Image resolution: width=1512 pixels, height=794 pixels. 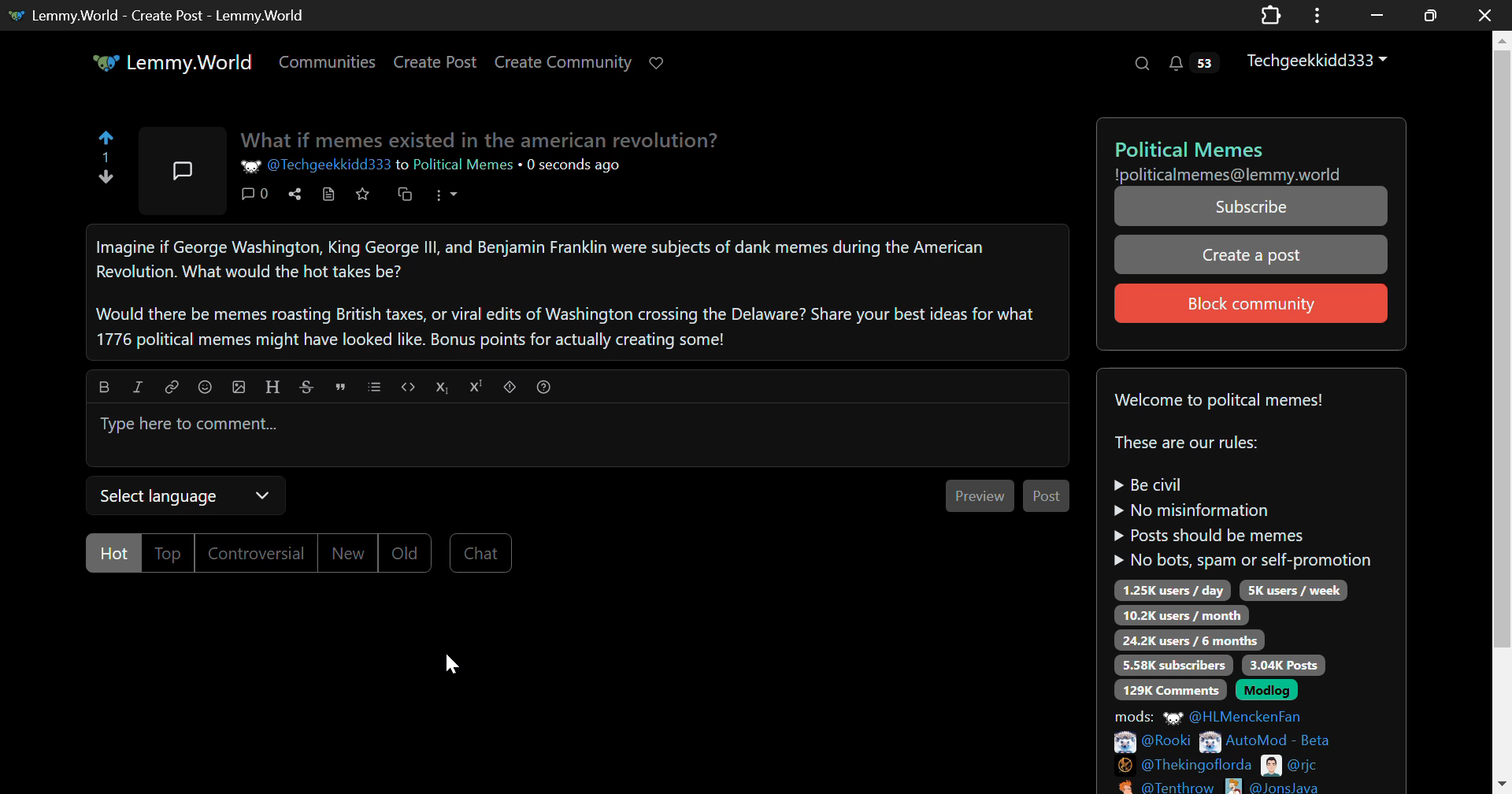 What do you see at coordinates (317, 165) in the screenshot?
I see `@Techgeekkidd333` at bounding box center [317, 165].